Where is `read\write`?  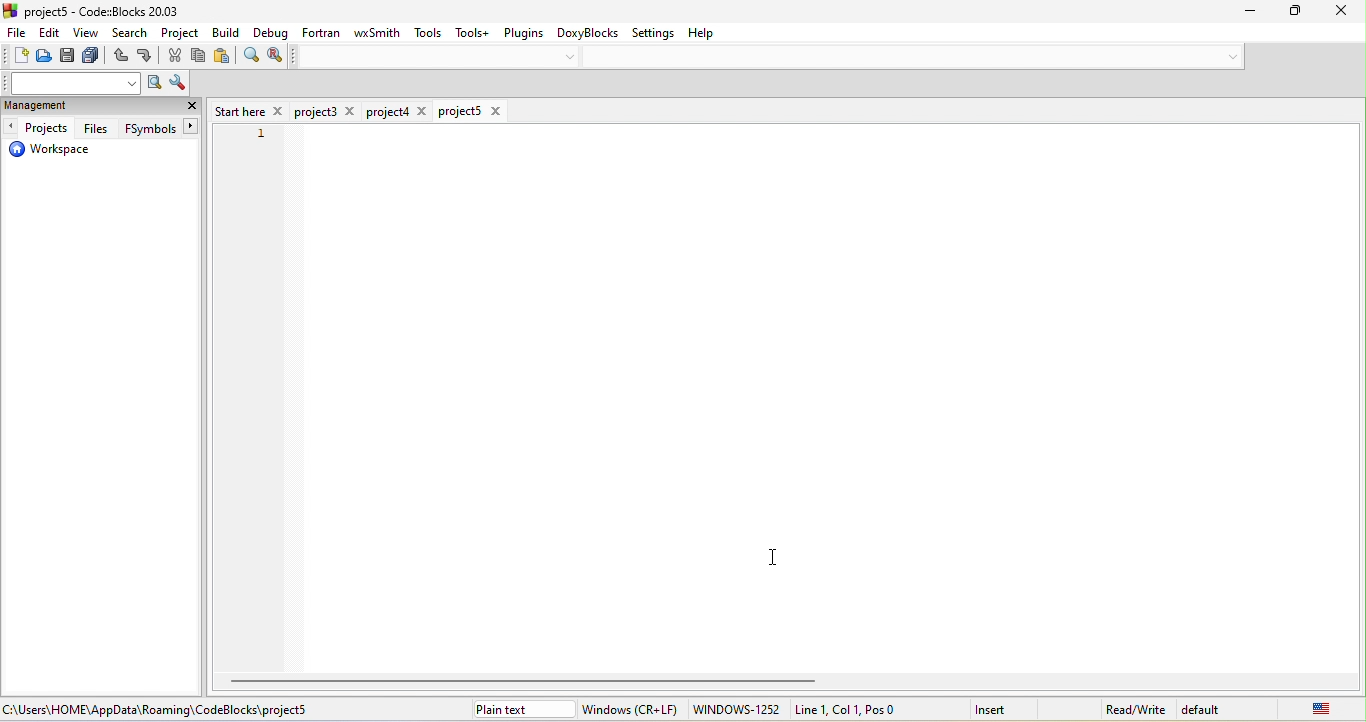 read\write is located at coordinates (1135, 706).